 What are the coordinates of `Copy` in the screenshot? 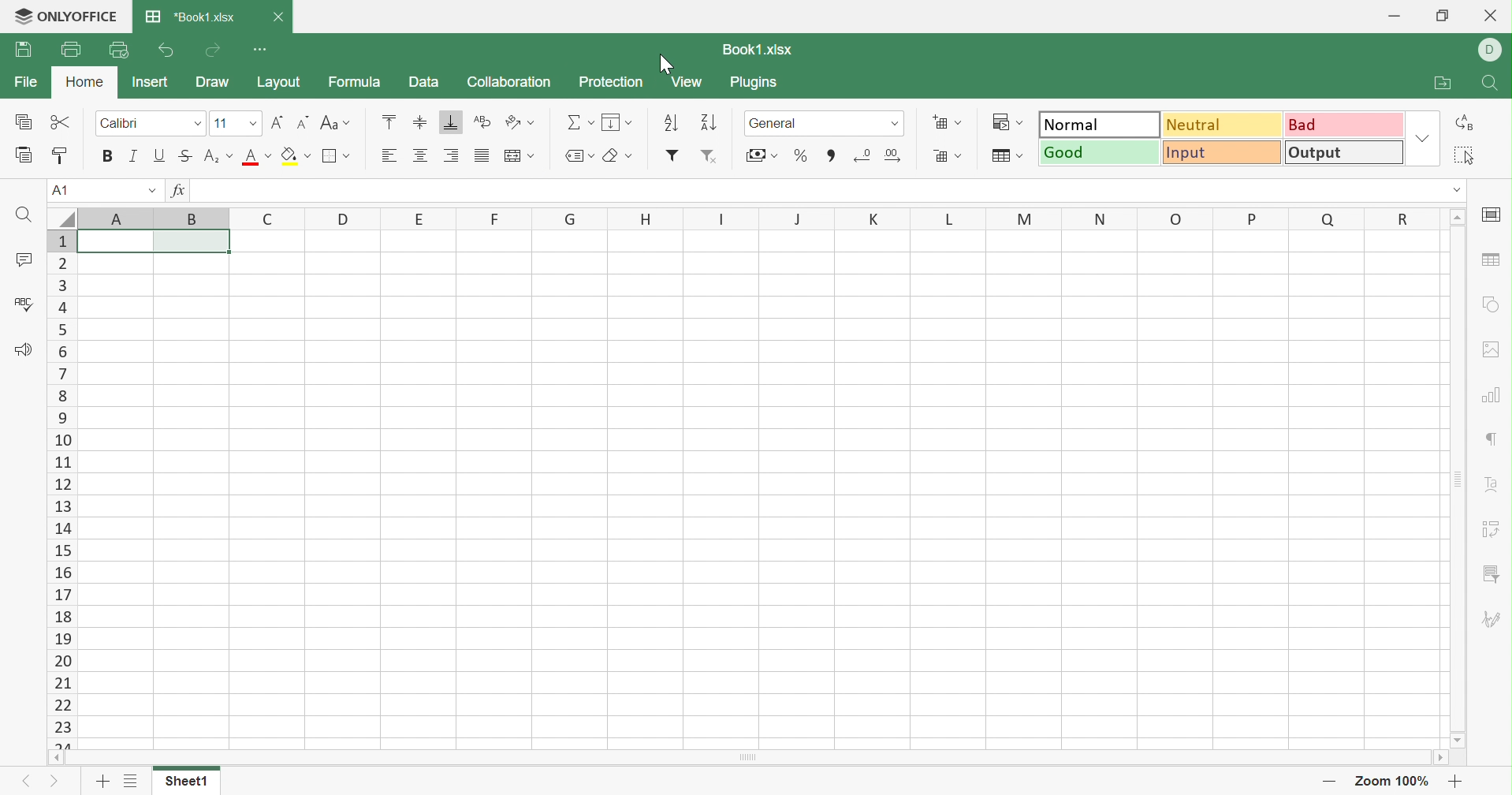 It's located at (26, 121).